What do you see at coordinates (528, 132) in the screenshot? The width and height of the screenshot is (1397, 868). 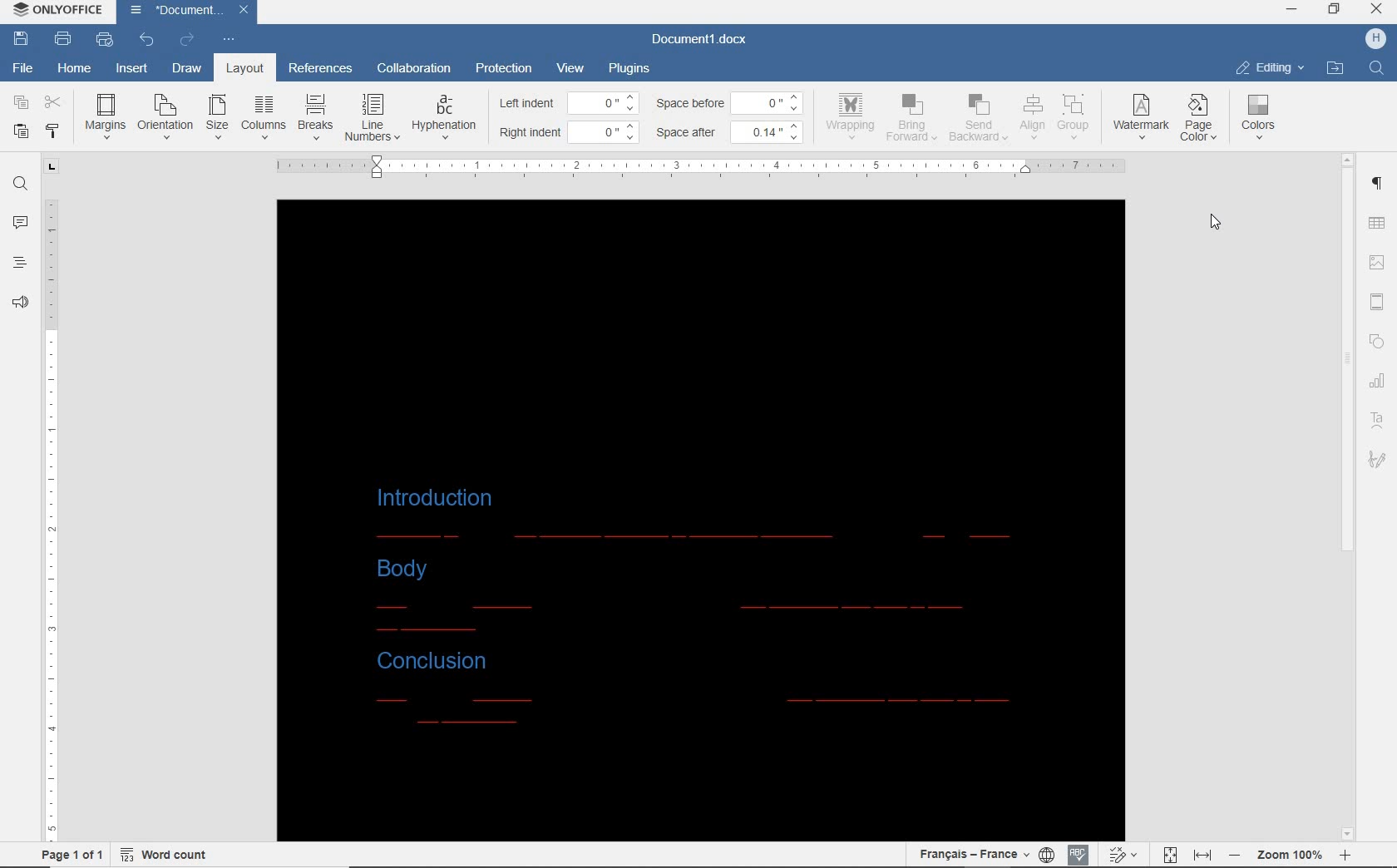 I see `right indent` at bounding box center [528, 132].